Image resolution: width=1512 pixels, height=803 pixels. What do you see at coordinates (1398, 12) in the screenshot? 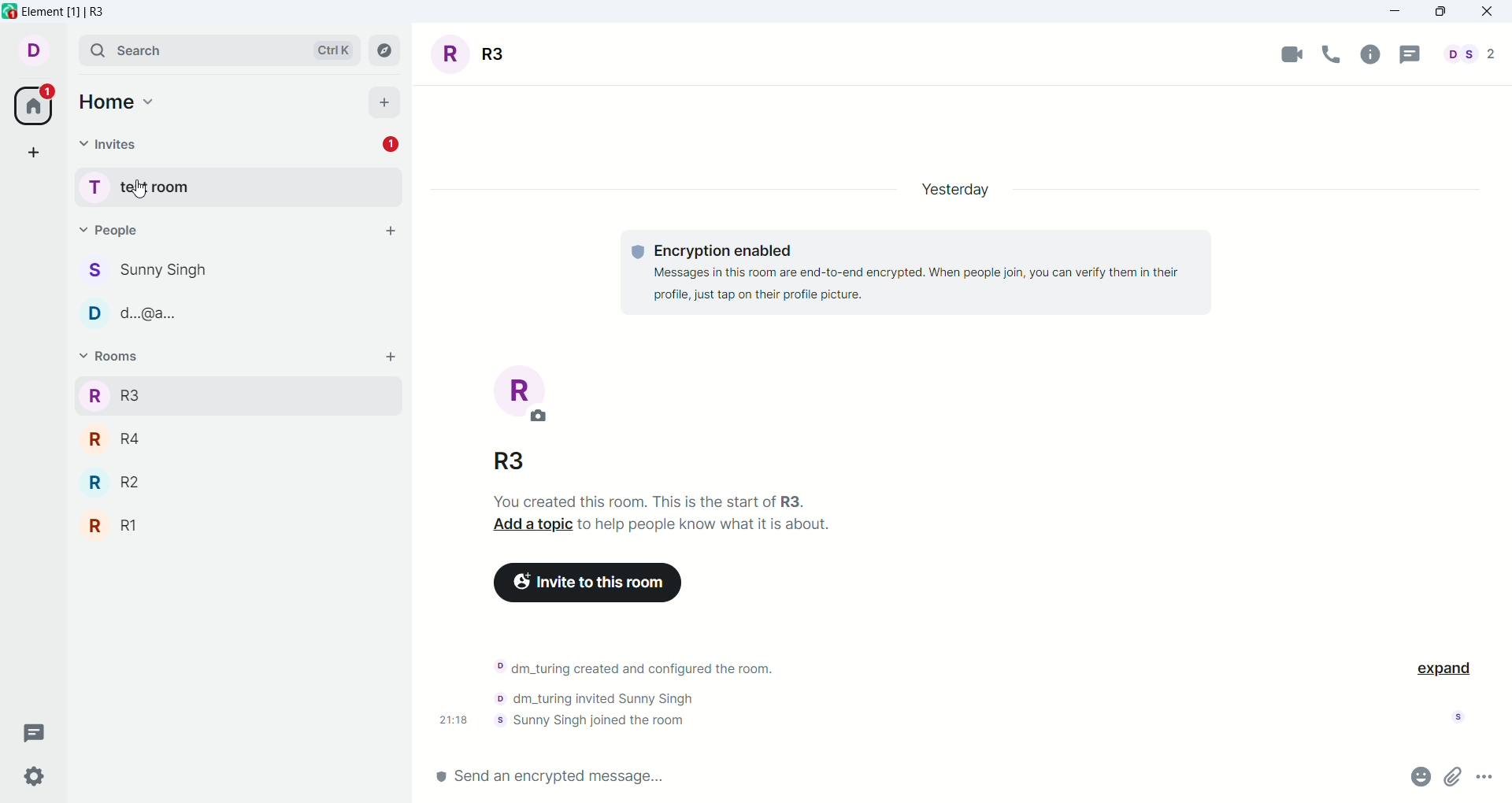
I see `minimize` at bounding box center [1398, 12].